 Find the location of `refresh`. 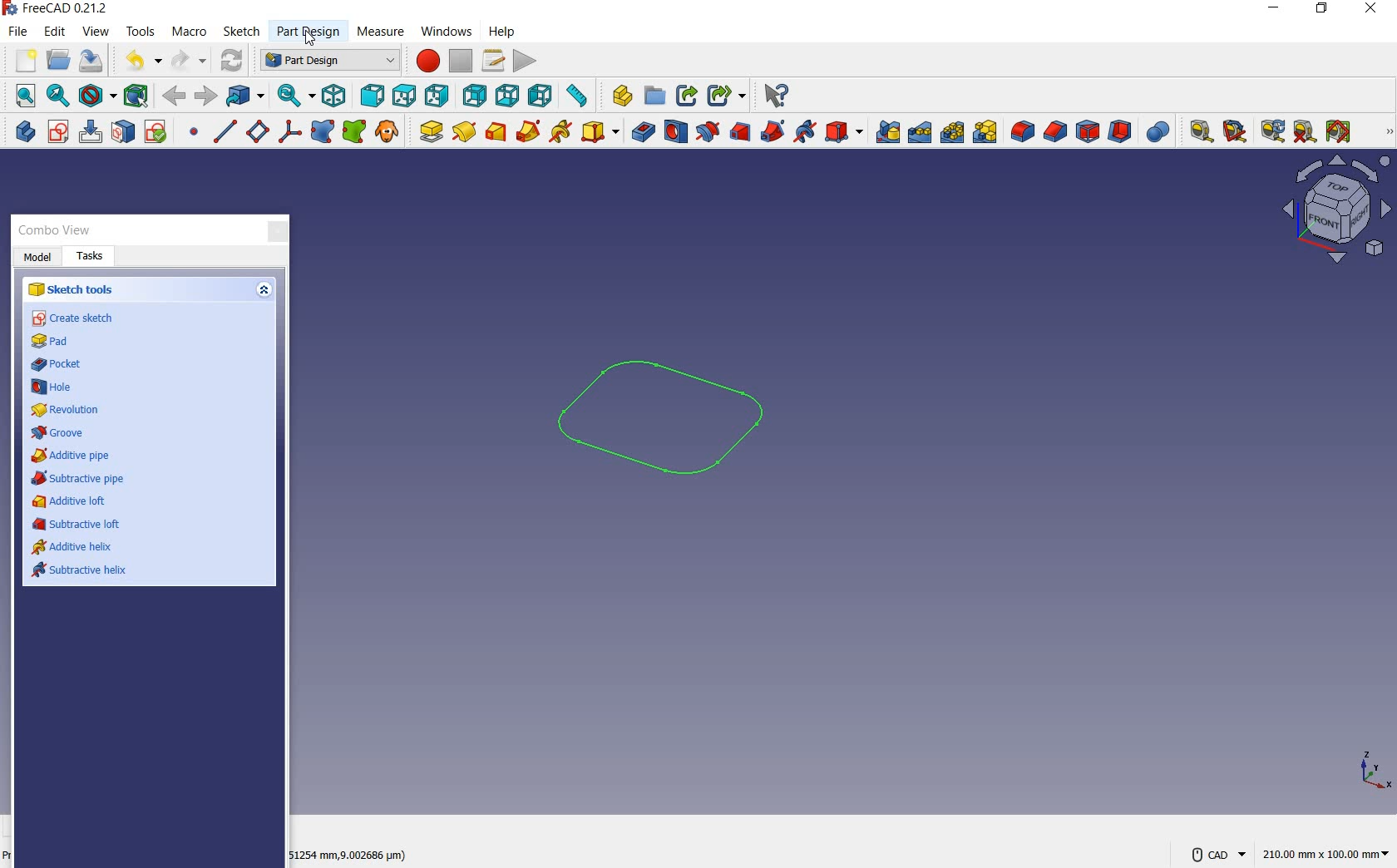

refresh is located at coordinates (232, 59).